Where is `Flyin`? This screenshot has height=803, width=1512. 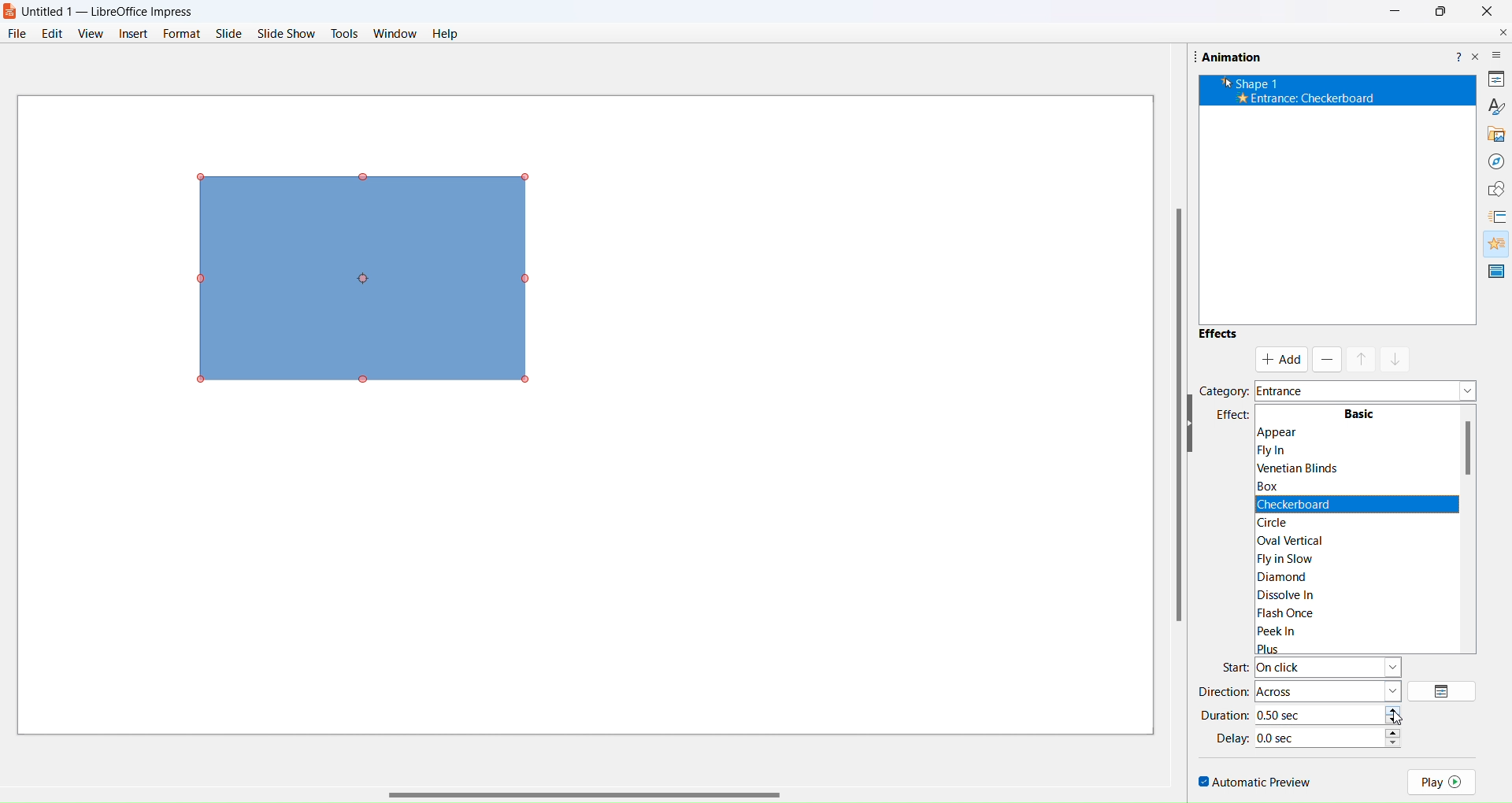
Flyin is located at coordinates (1288, 451).